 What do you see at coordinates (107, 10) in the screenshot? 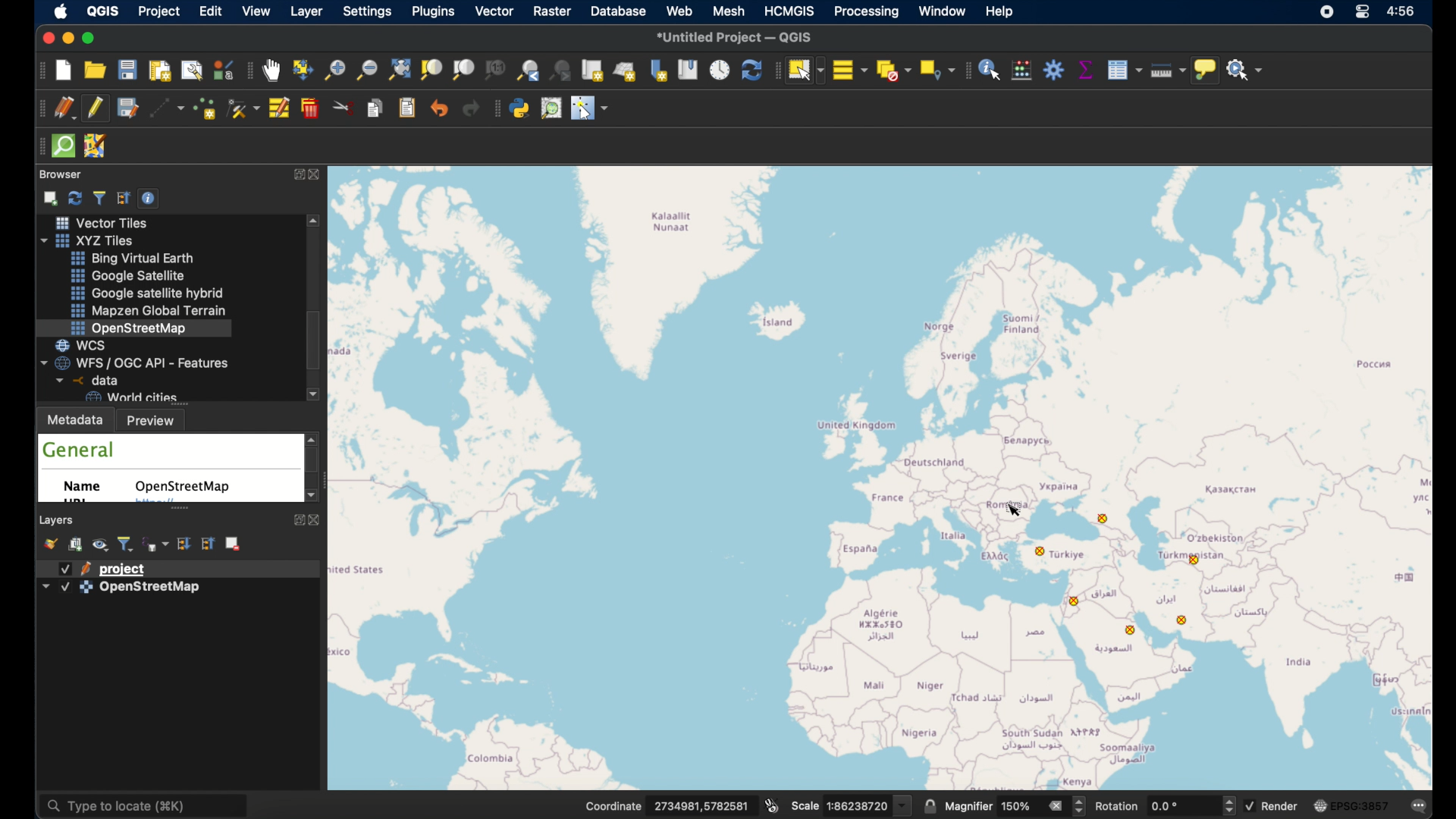
I see `QGIS` at bounding box center [107, 10].